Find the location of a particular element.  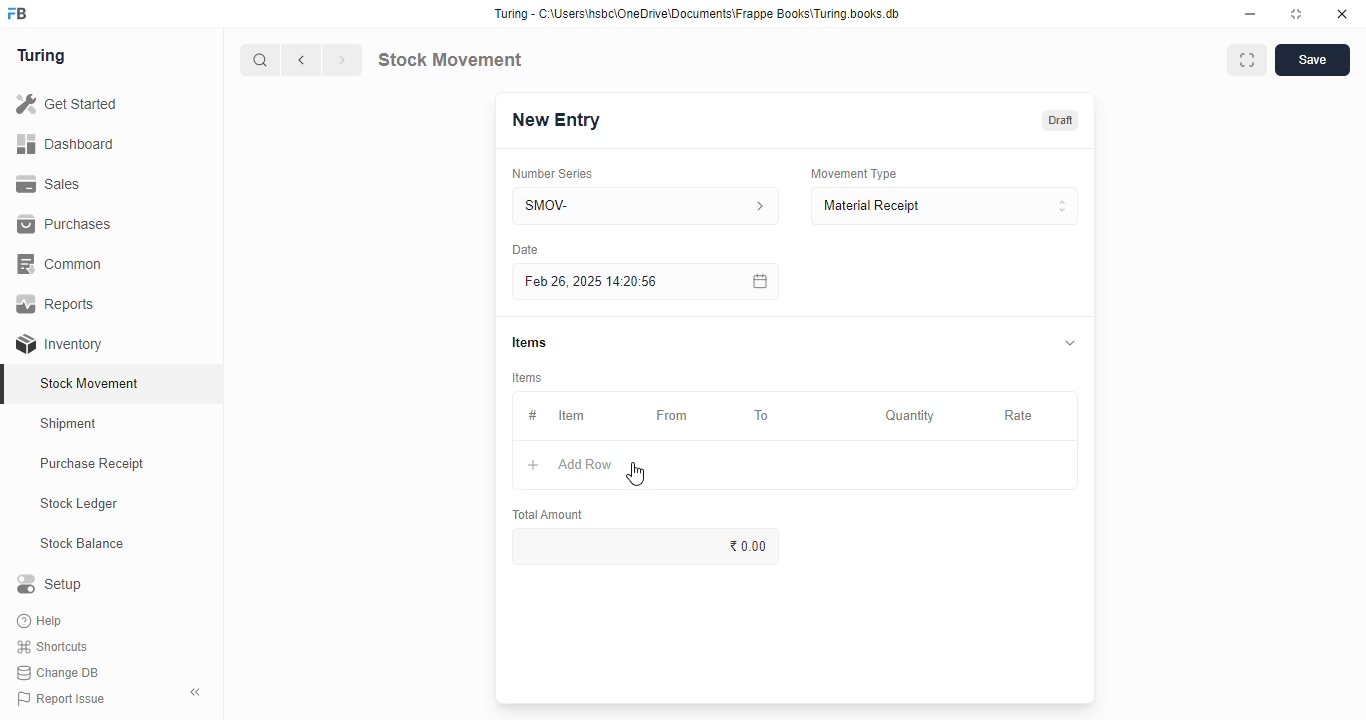

search is located at coordinates (261, 60).